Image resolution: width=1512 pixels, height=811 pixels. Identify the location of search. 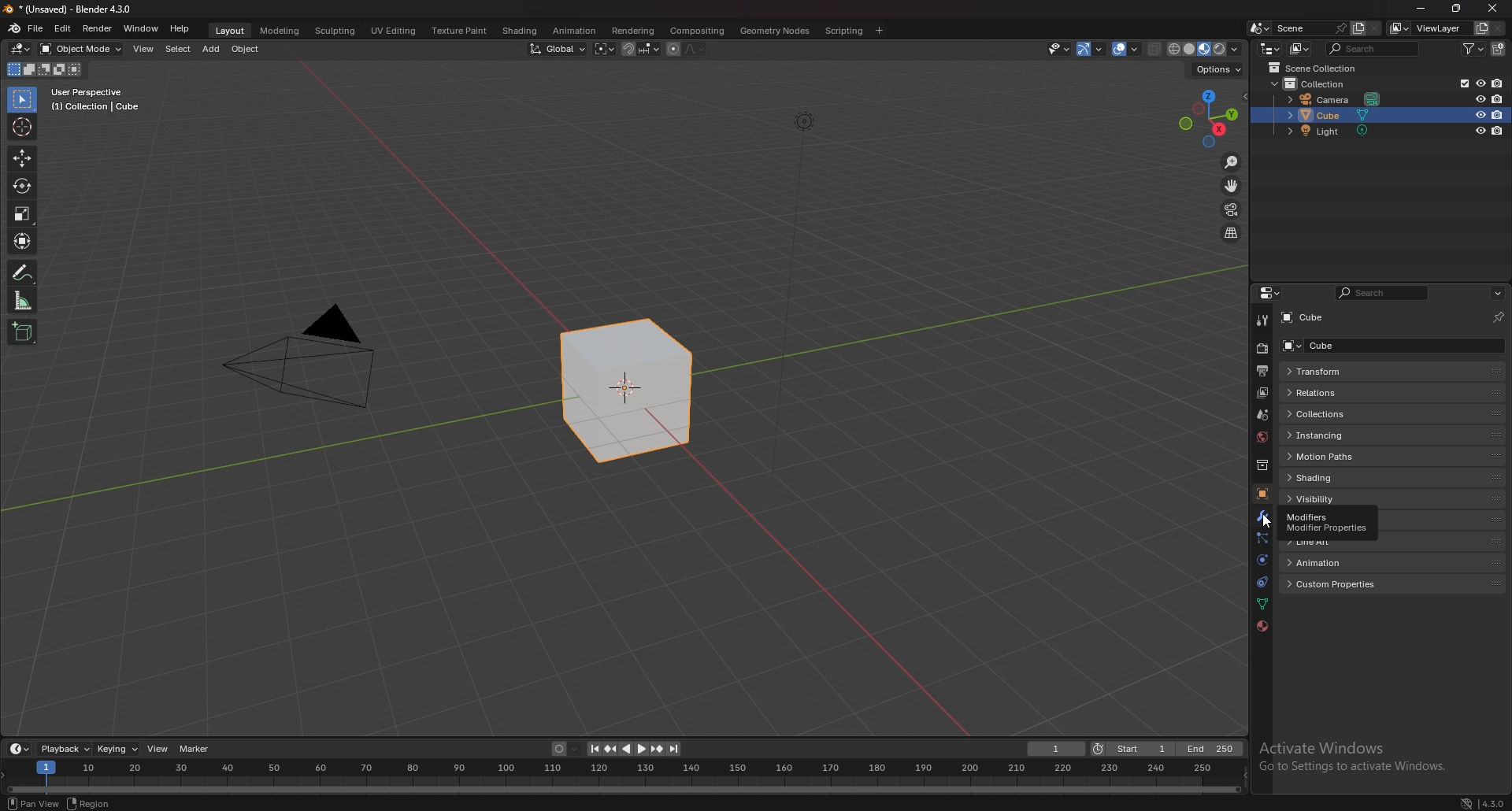
(1381, 293).